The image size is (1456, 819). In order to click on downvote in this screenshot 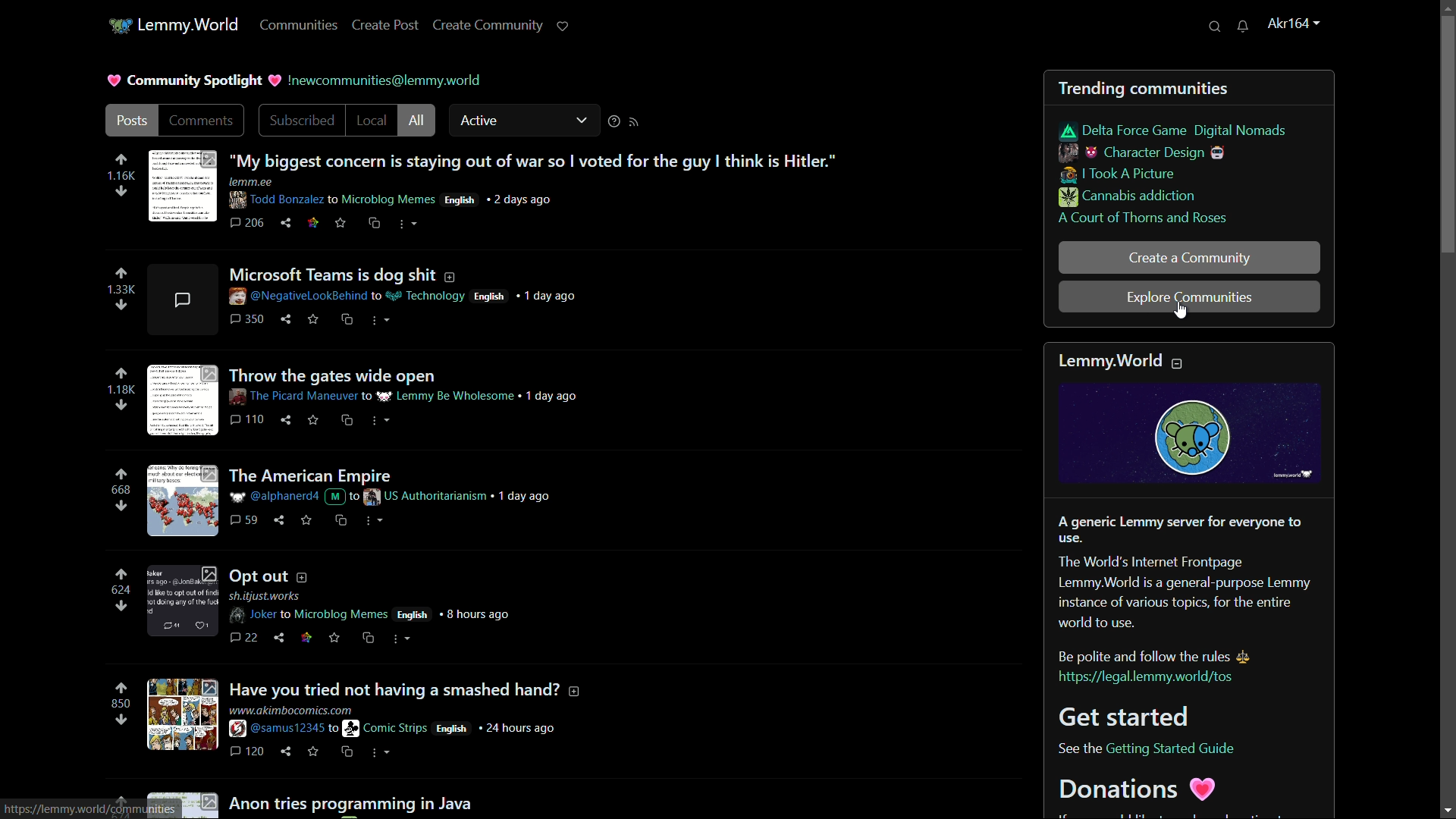, I will do `click(120, 193)`.